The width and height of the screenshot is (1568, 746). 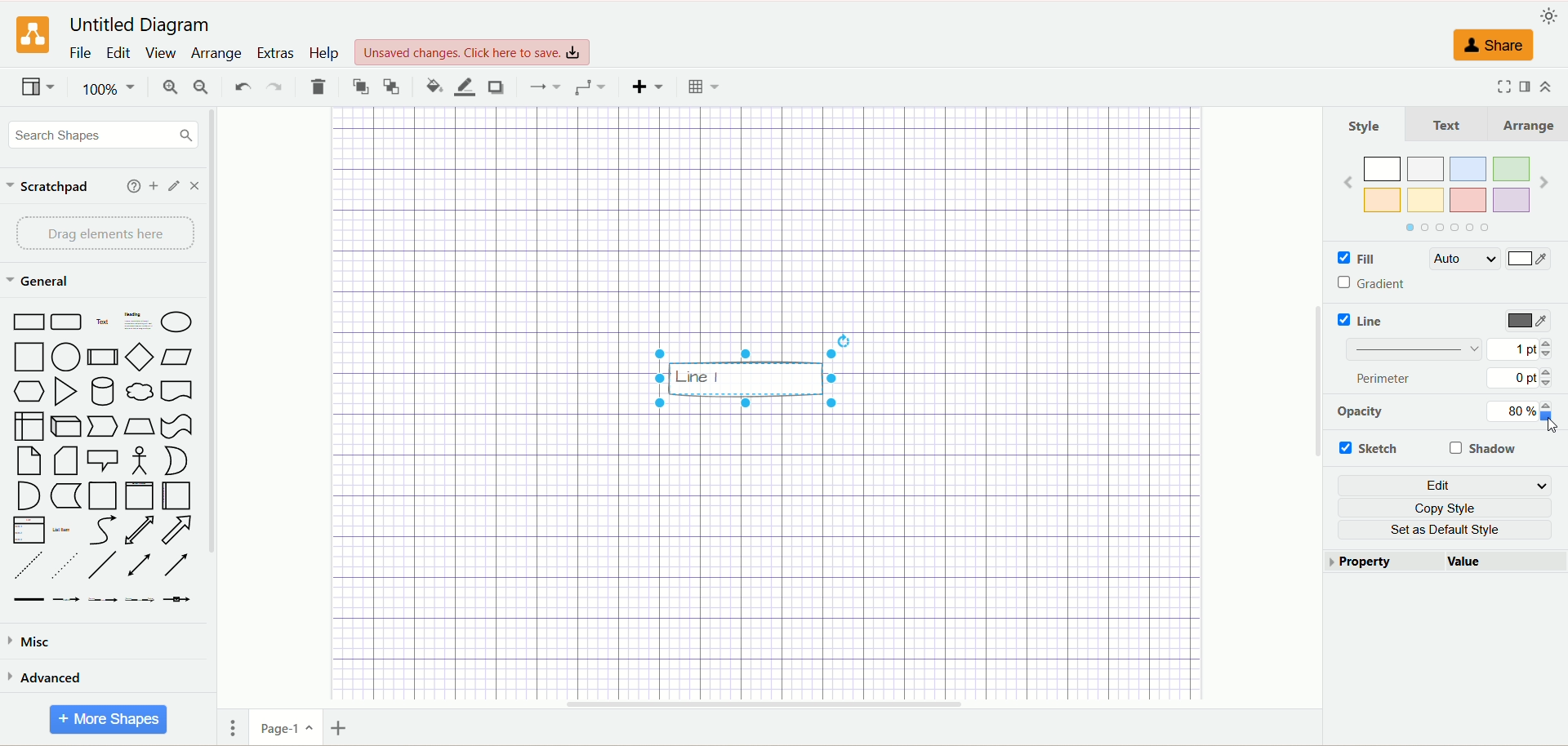 I want to click on share, so click(x=1492, y=47).